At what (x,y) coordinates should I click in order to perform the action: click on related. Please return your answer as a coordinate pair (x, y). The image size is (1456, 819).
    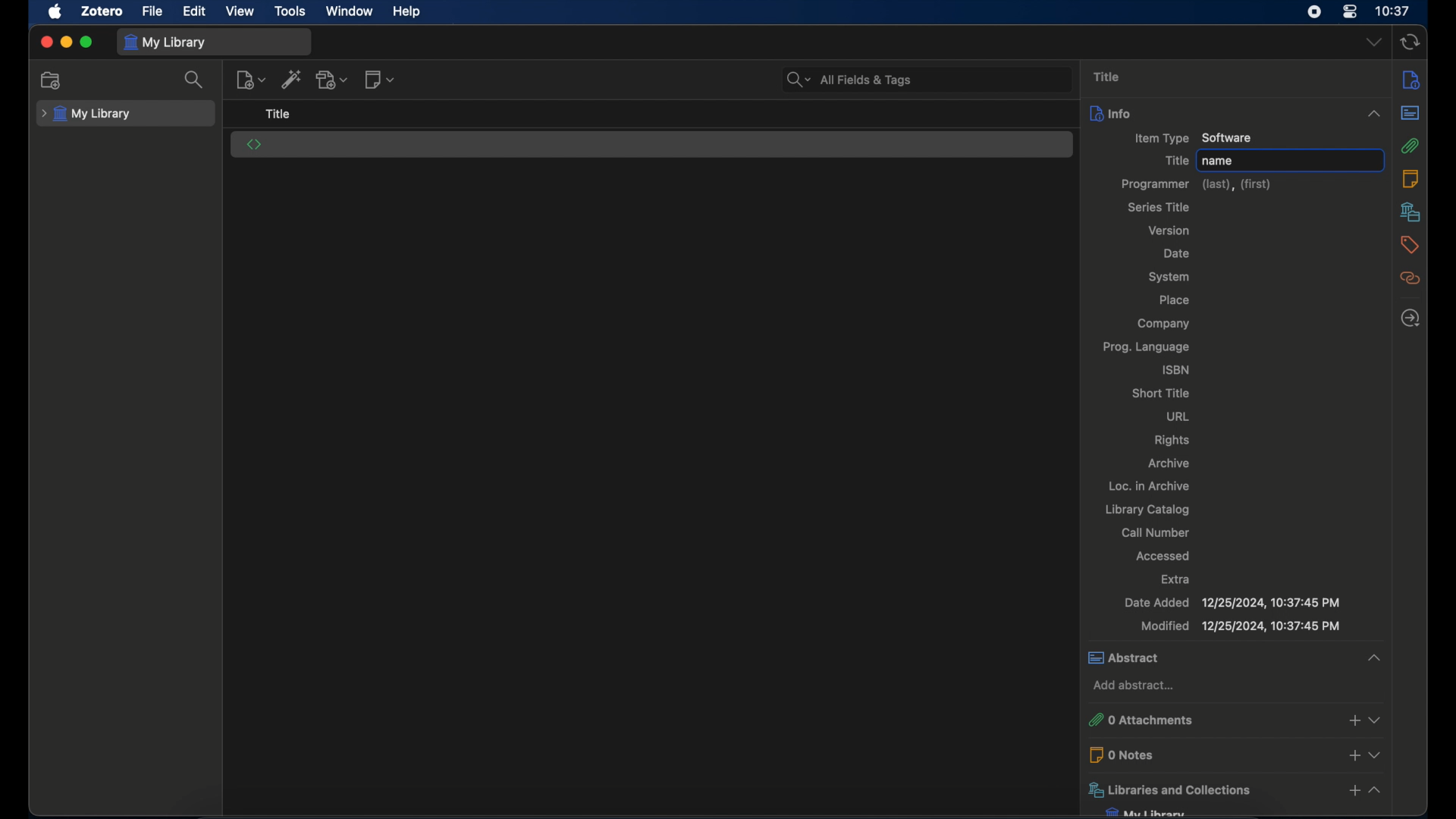
    Looking at the image, I should click on (1410, 278).